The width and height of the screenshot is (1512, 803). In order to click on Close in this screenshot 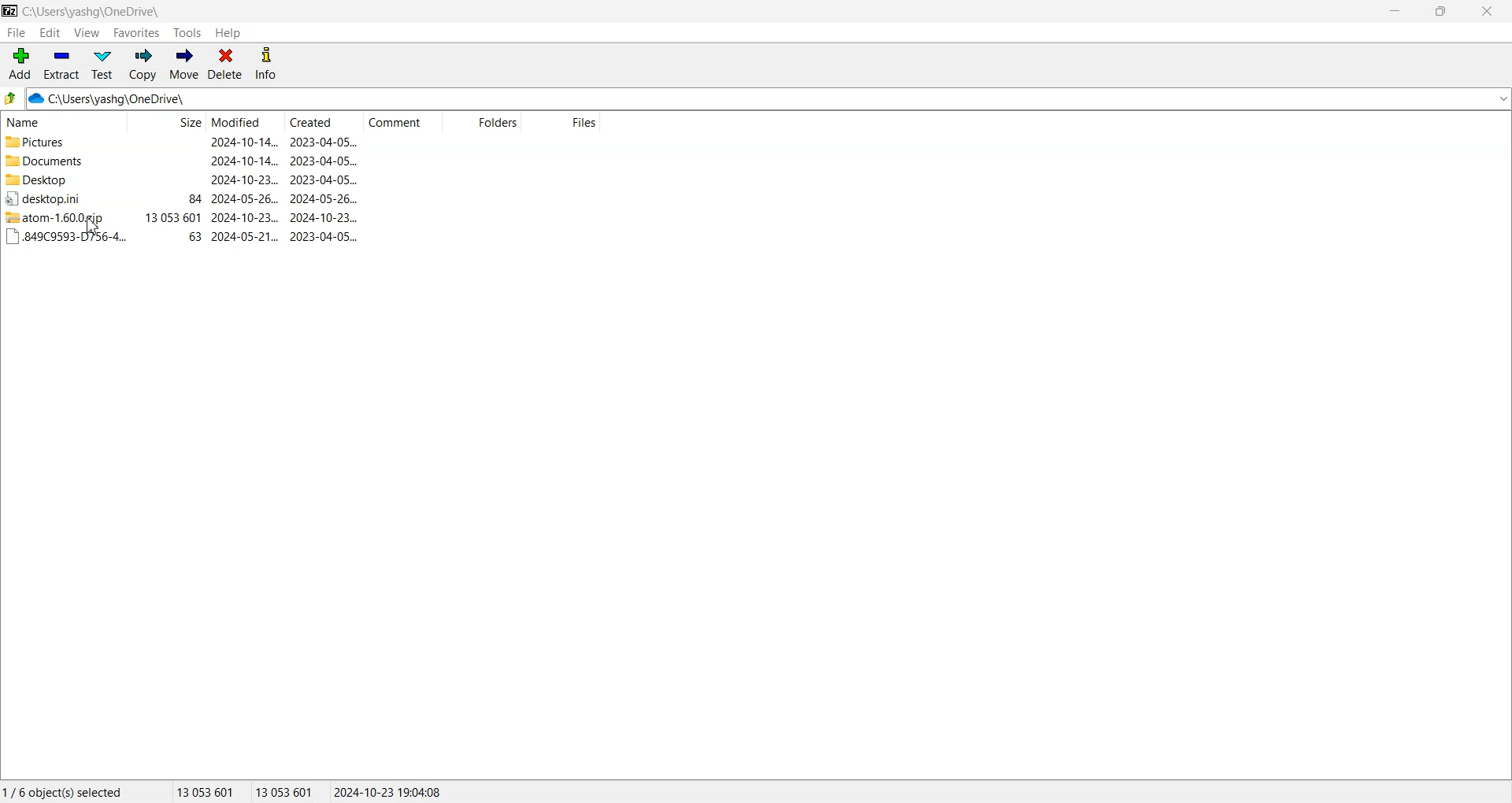, I will do `click(1485, 11)`.